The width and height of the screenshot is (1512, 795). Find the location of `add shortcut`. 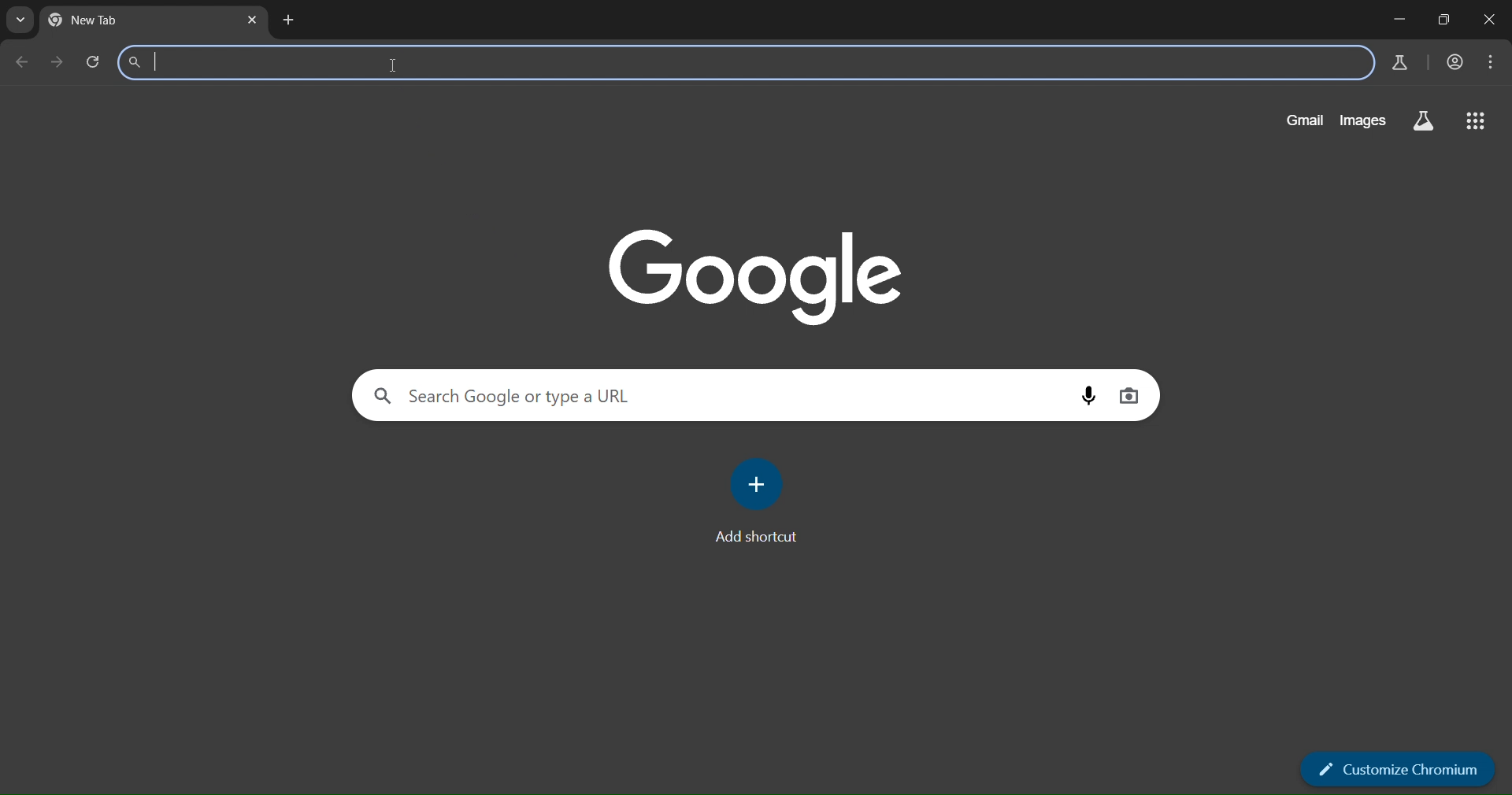

add shortcut is located at coordinates (758, 500).